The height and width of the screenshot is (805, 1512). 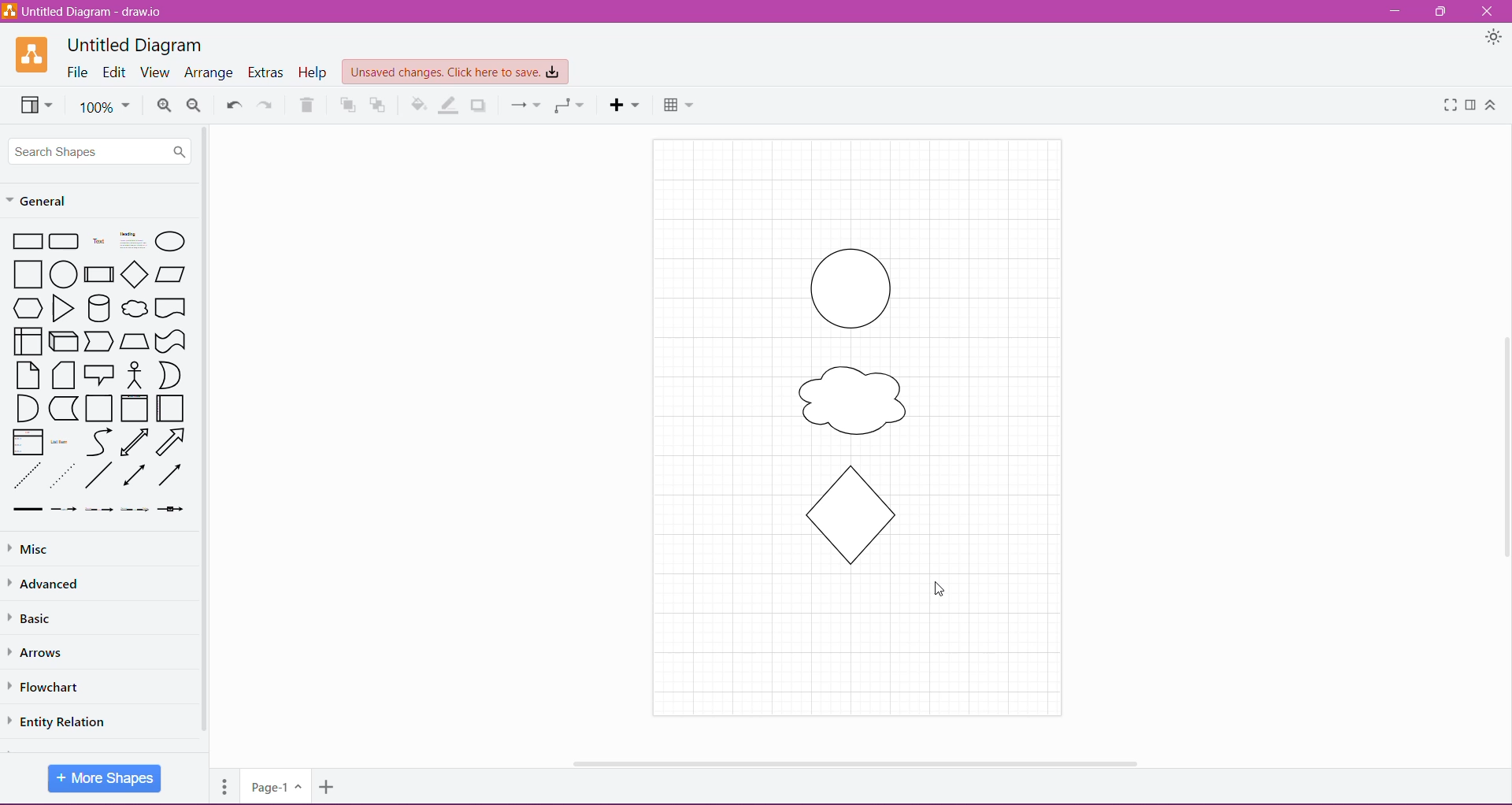 I want to click on To Front, so click(x=337, y=107).